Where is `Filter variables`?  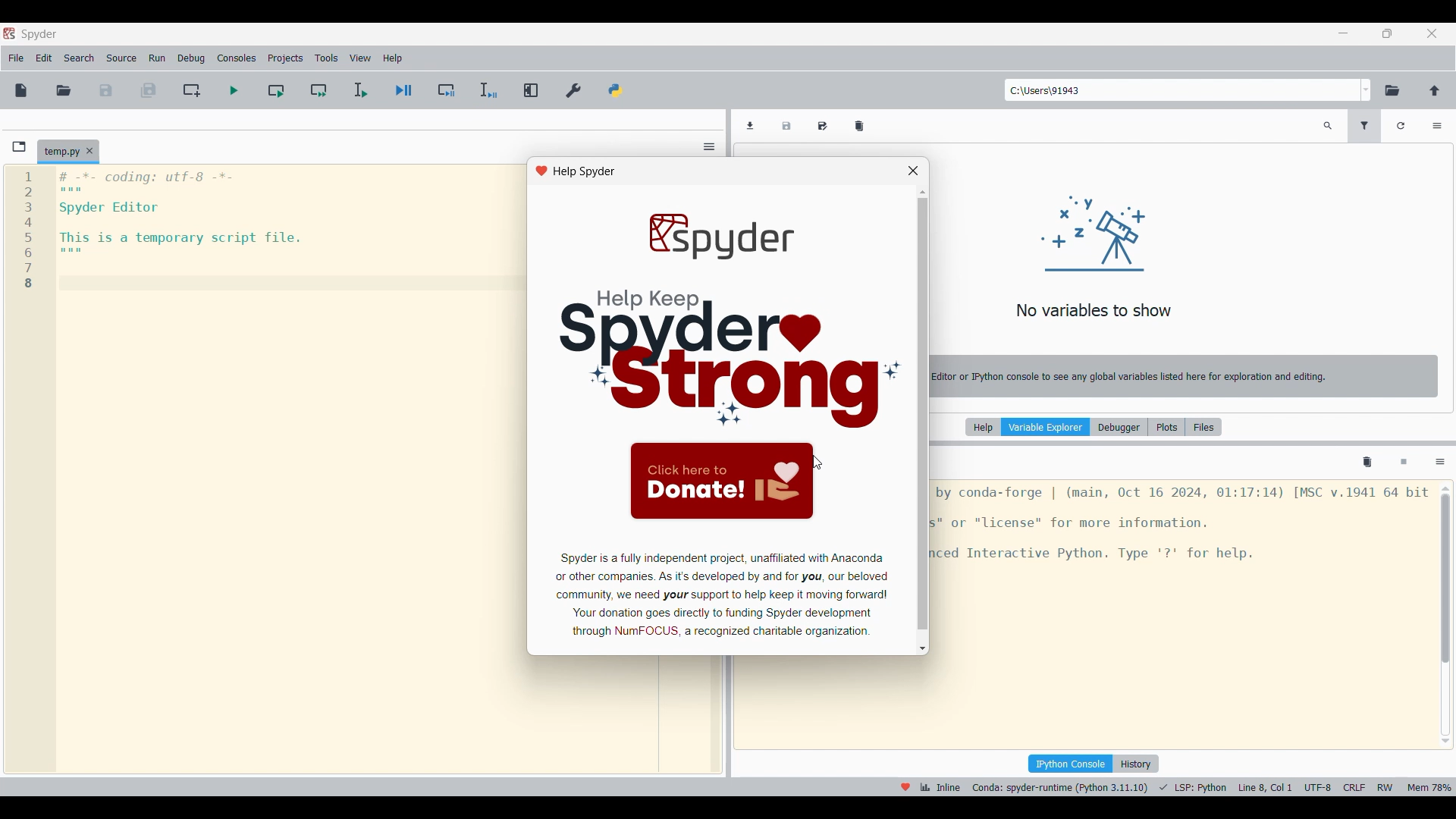
Filter variables is located at coordinates (1364, 126).